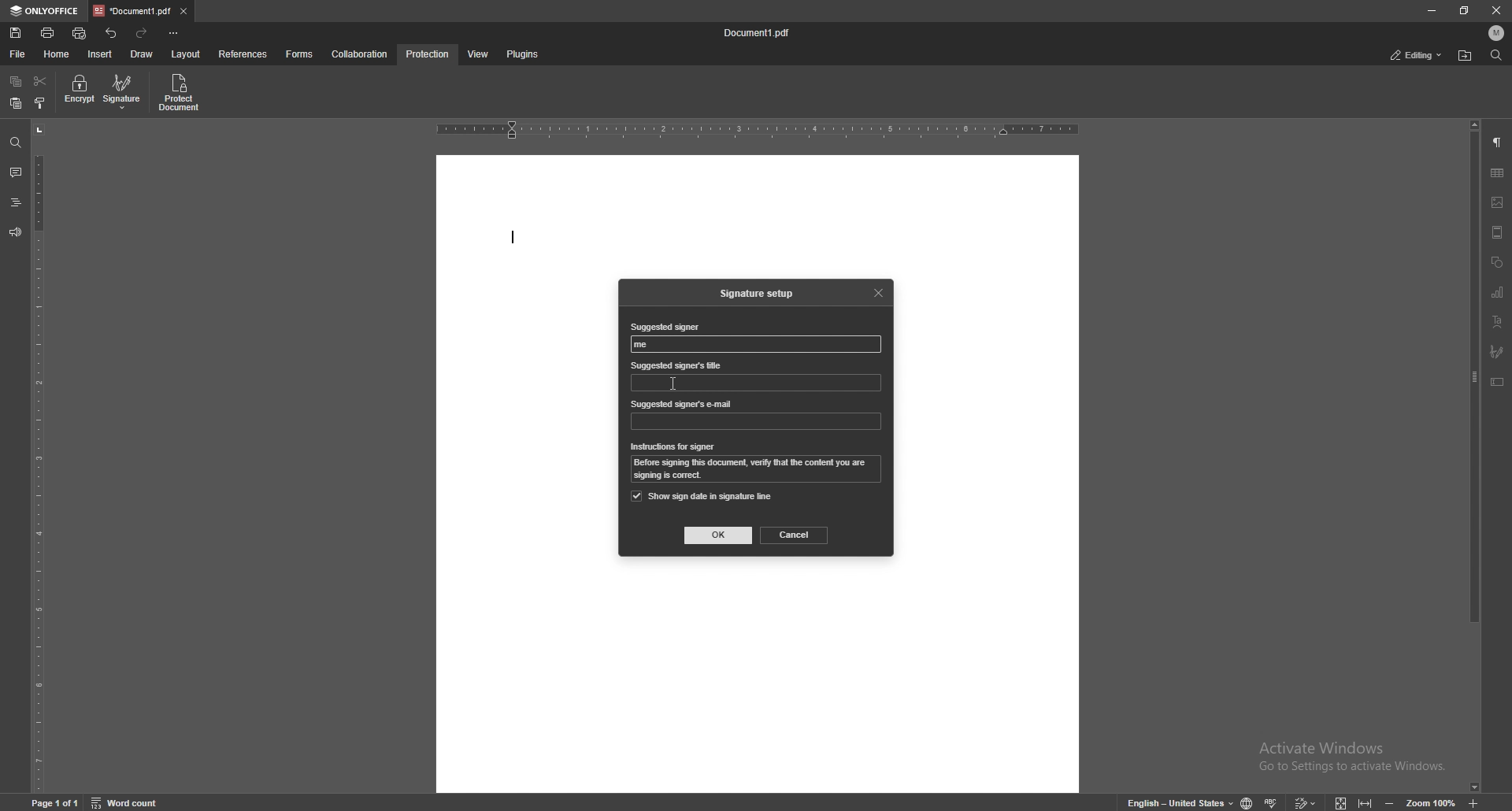 The image size is (1512, 811). What do you see at coordinates (245, 54) in the screenshot?
I see `references` at bounding box center [245, 54].